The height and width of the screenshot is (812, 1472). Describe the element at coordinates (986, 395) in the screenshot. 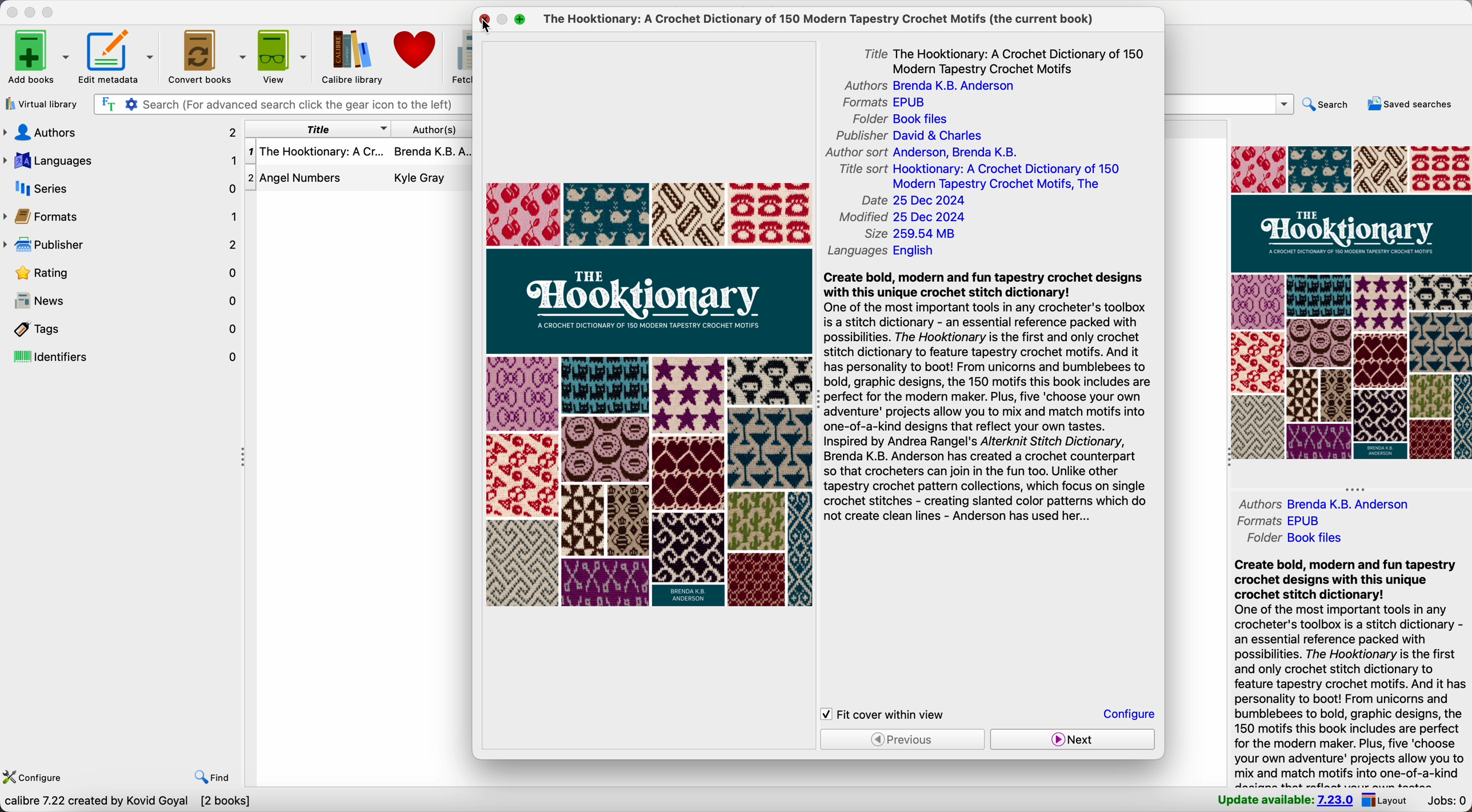

I see `synopsis` at that location.